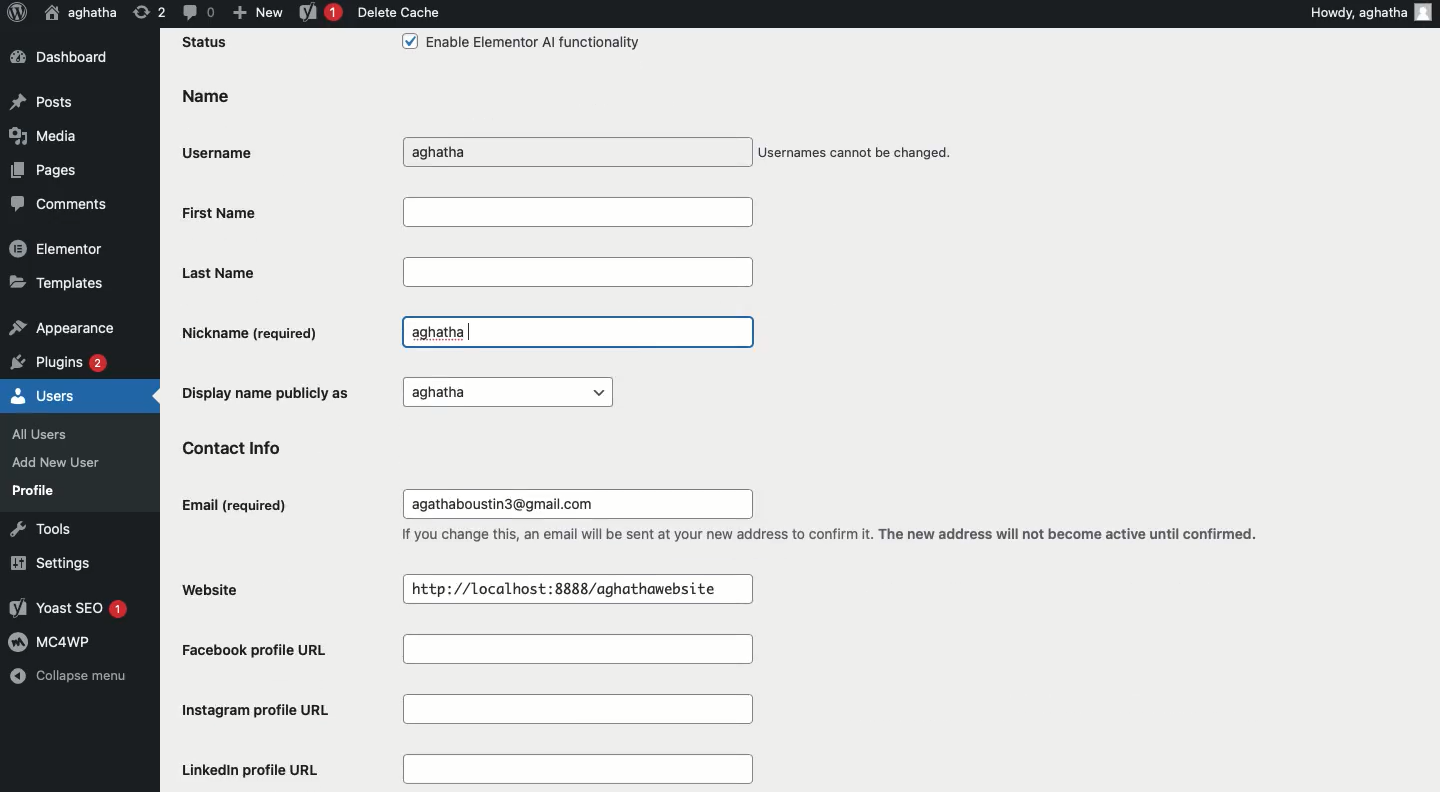 Image resolution: width=1440 pixels, height=792 pixels. What do you see at coordinates (58, 281) in the screenshot?
I see `Templates` at bounding box center [58, 281].